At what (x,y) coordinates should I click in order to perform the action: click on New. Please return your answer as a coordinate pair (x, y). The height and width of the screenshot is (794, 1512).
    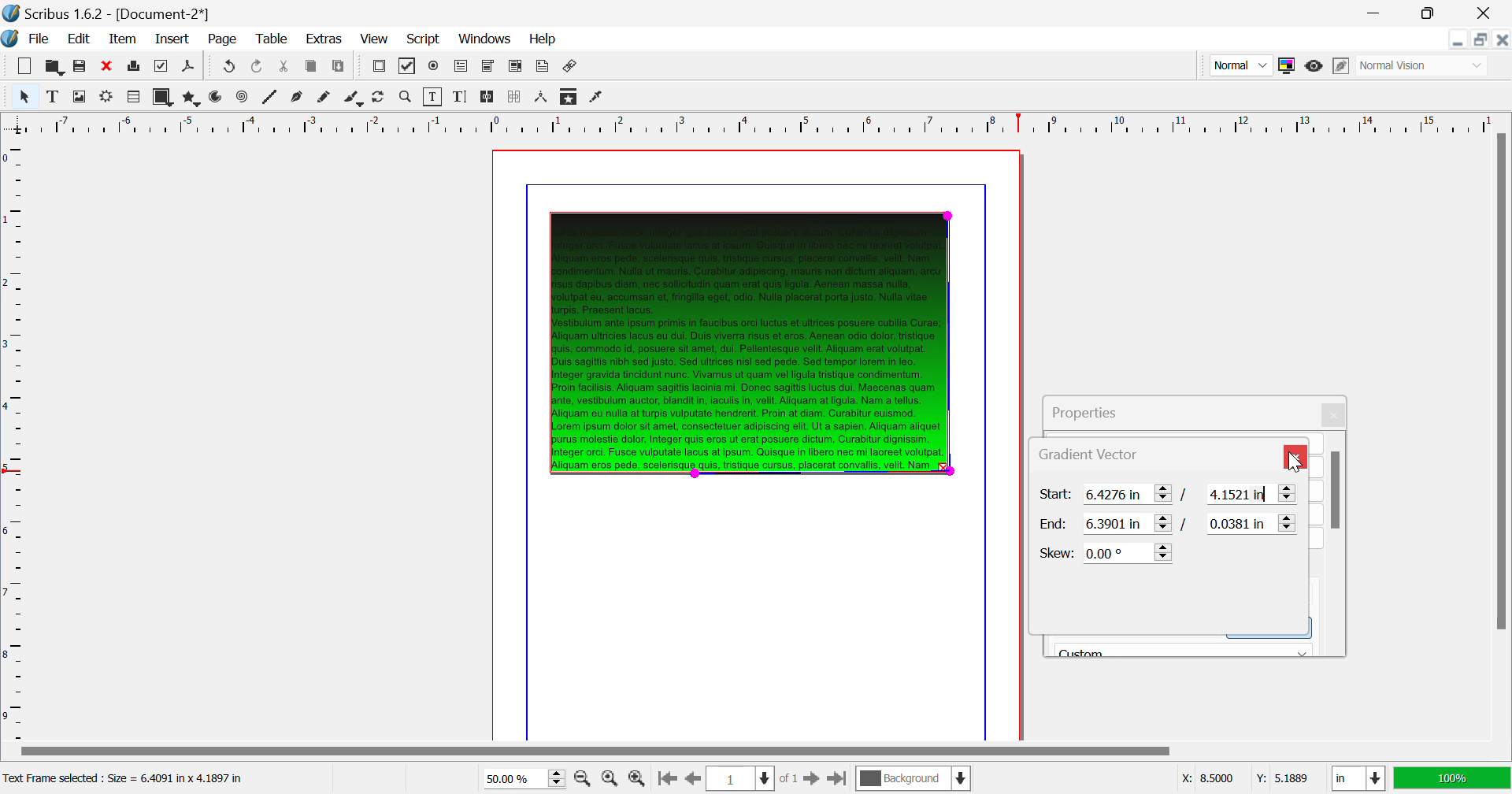
    Looking at the image, I should click on (25, 66).